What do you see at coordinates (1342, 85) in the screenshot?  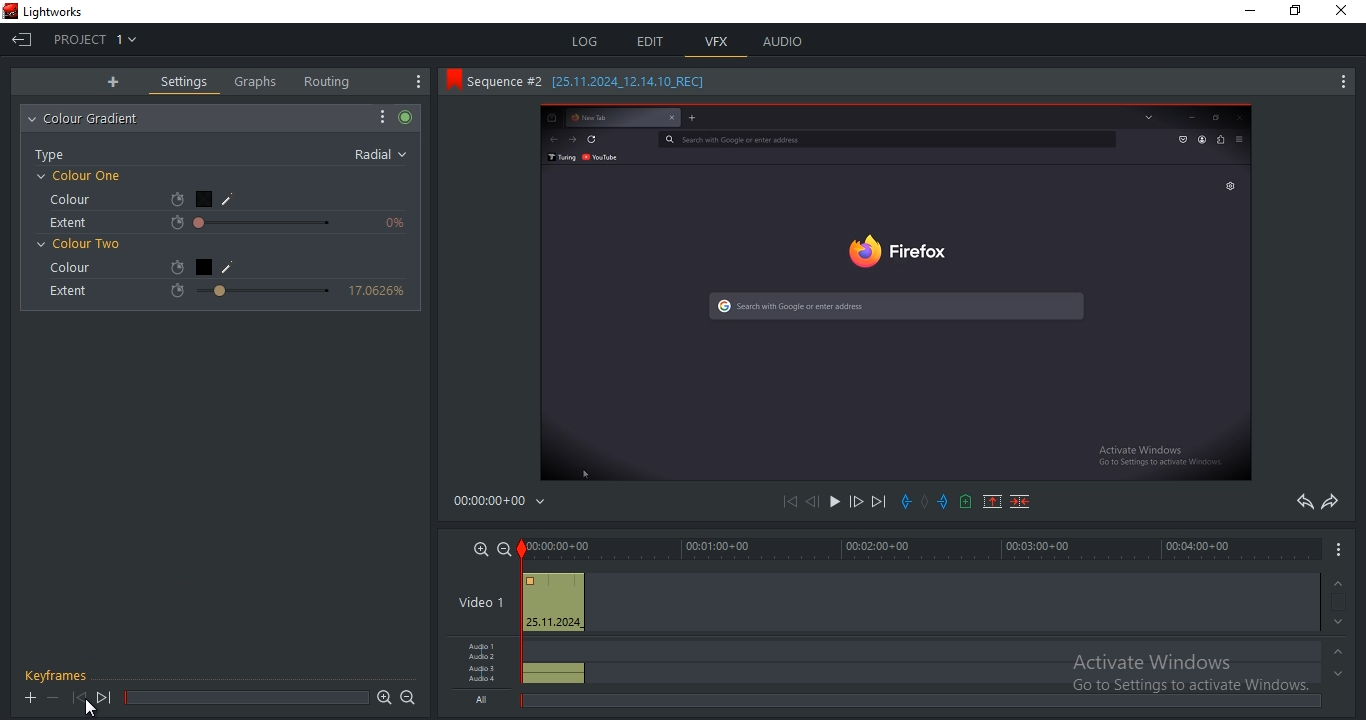 I see `Show settings menu` at bounding box center [1342, 85].